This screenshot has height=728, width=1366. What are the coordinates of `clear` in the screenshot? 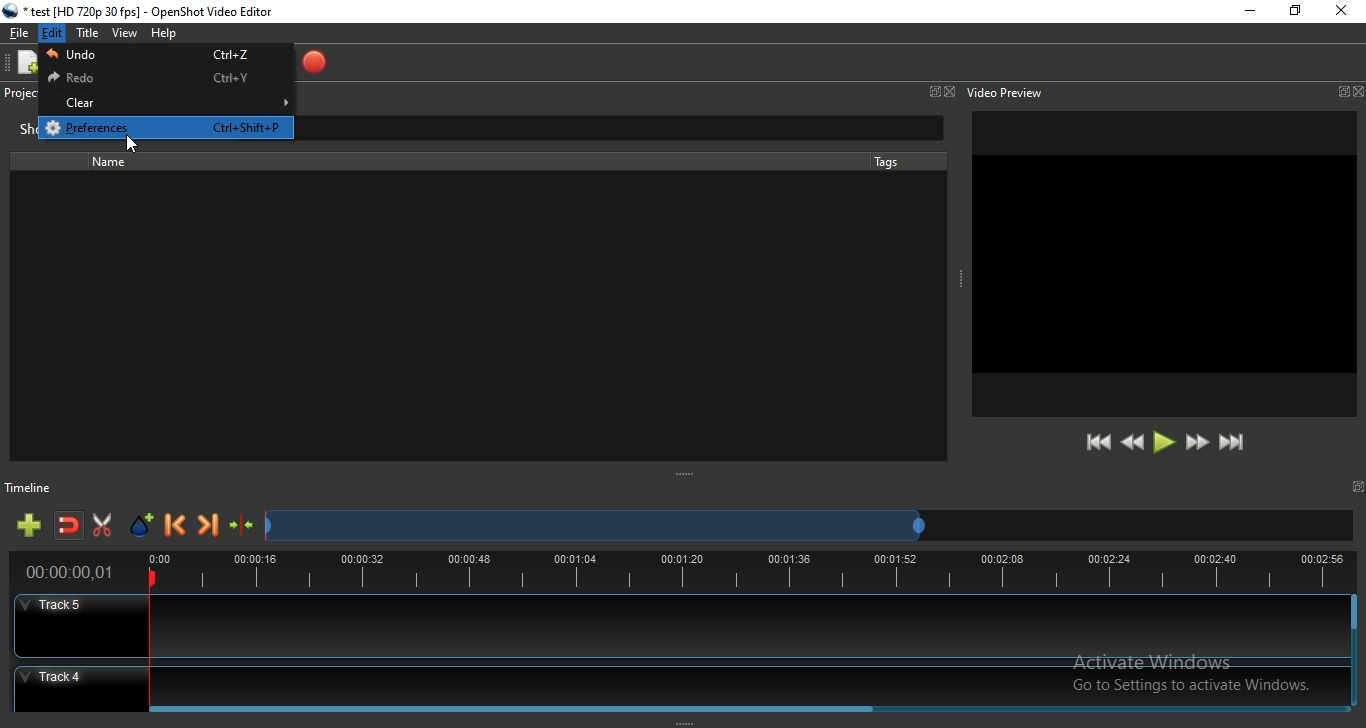 It's located at (165, 102).